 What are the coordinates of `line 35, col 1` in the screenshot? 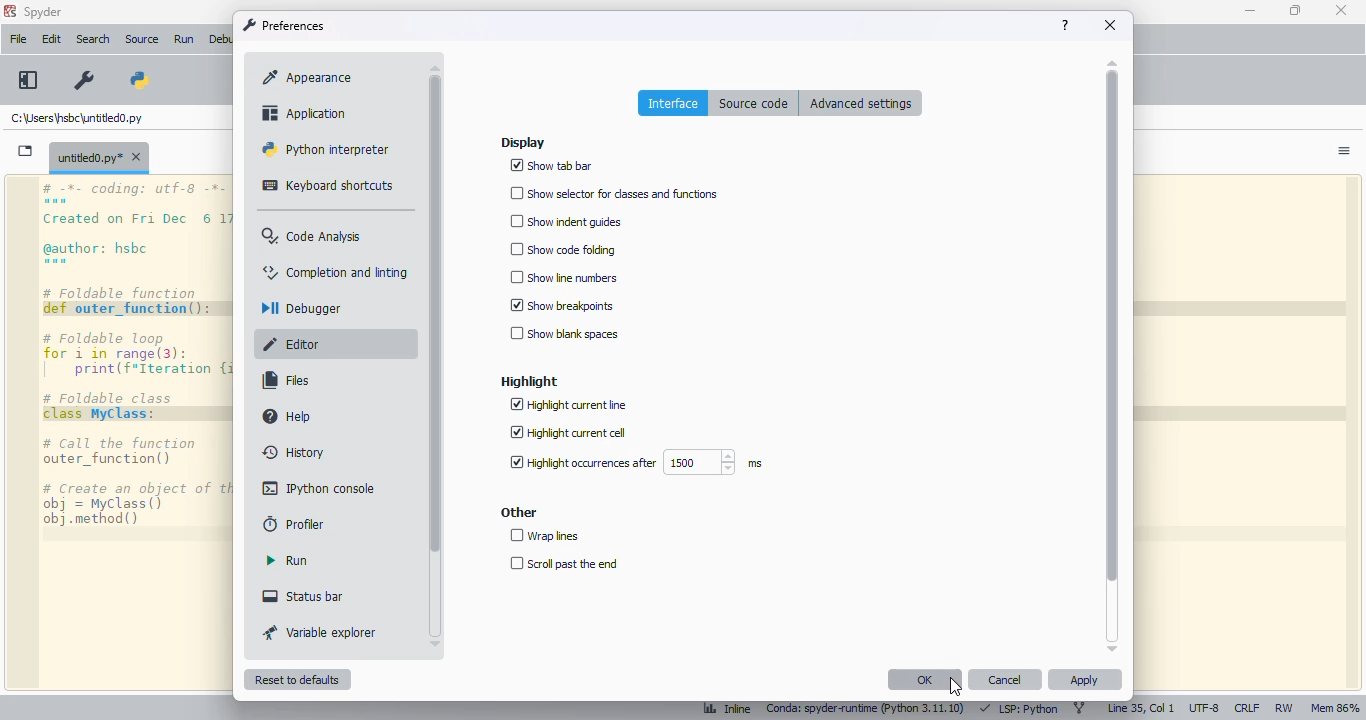 It's located at (1141, 708).